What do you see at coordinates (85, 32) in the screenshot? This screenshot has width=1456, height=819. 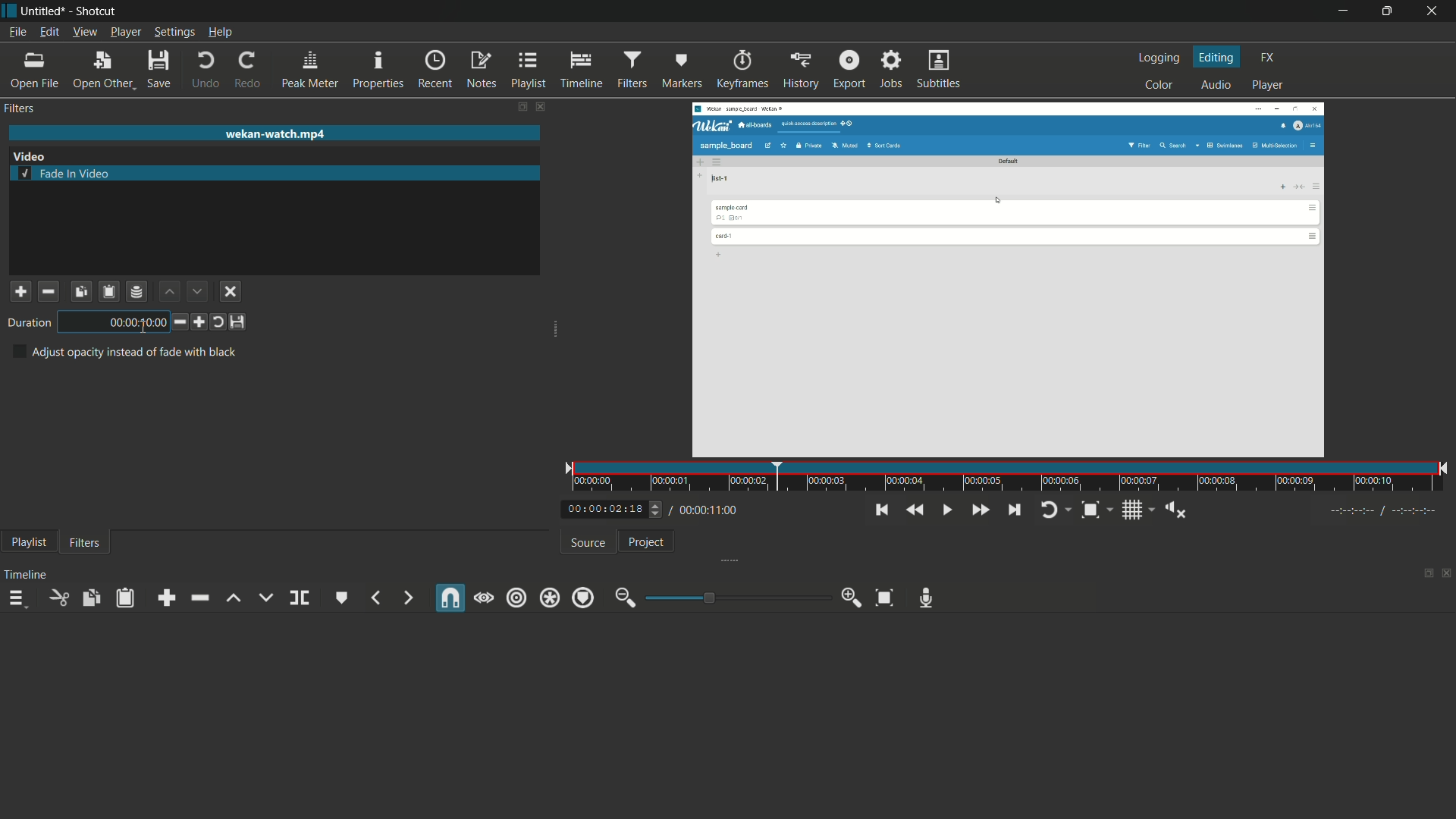 I see `view menu` at bounding box center [85, 32].